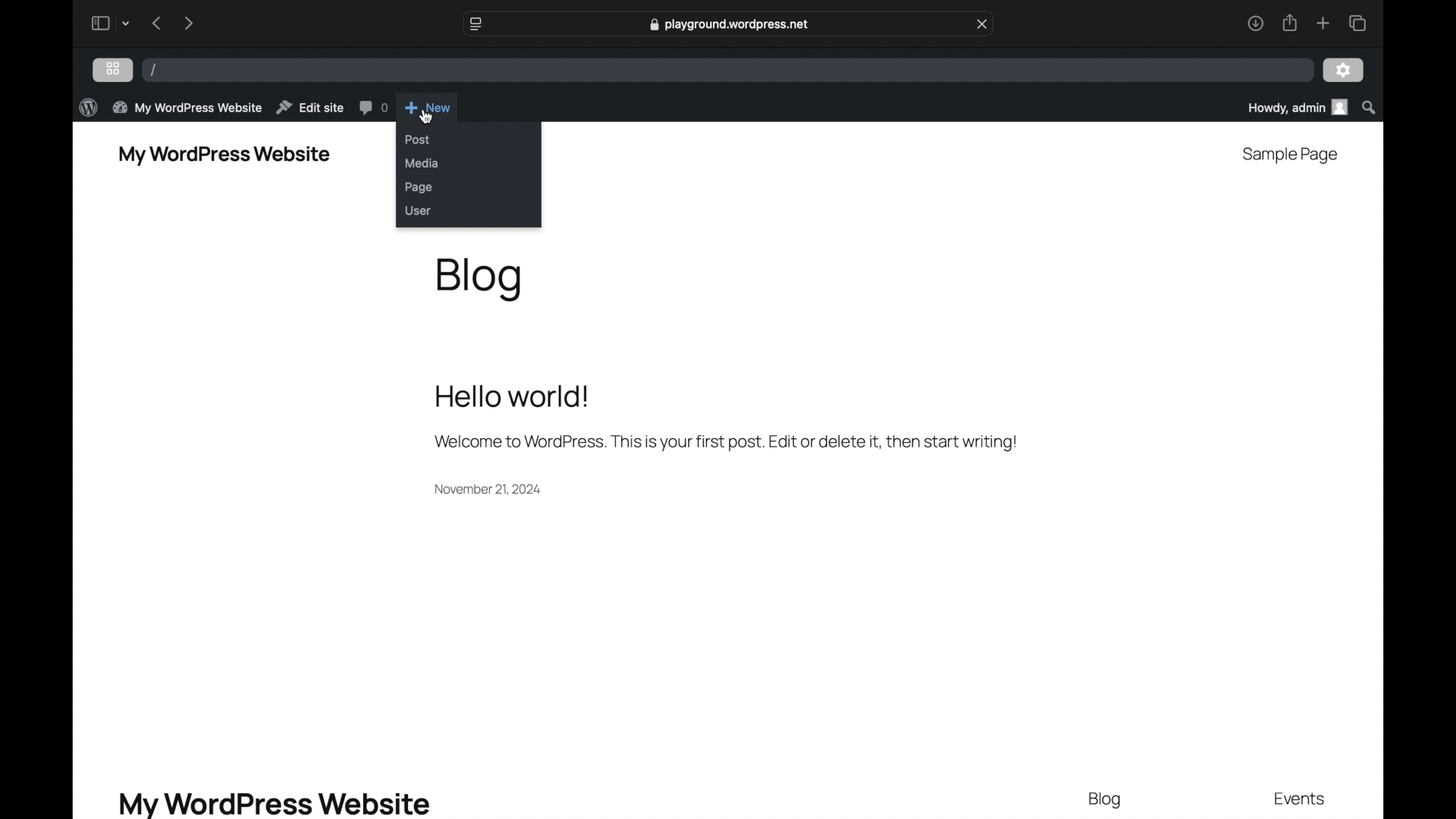  What do you see at coordinates (99, 23) in the screenshot?
I see `sidebar` at bounding box center [99, 23].